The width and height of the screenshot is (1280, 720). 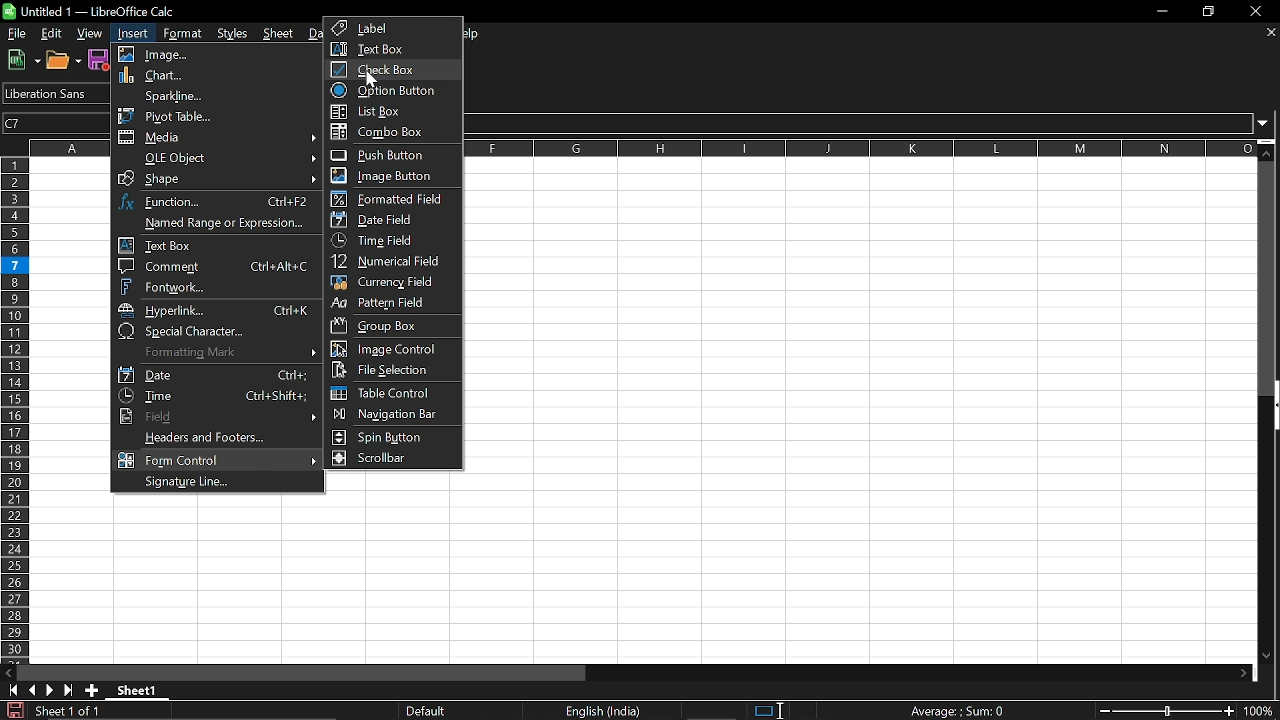 What do you see at coordinates (861, 123) in the screenshot?
I see `Input line` at bounding box center [861, 123].